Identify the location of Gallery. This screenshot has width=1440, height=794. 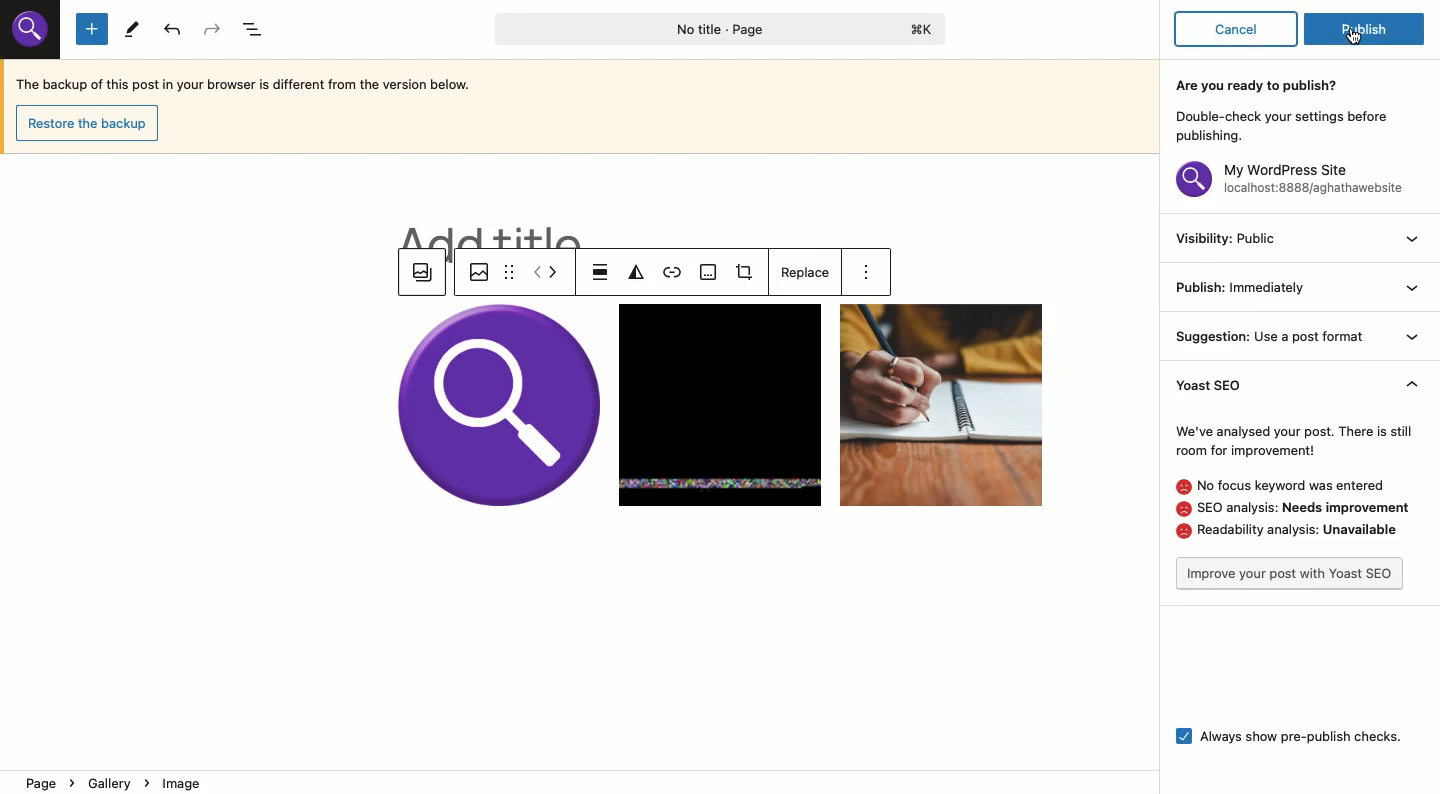
(721, 406).